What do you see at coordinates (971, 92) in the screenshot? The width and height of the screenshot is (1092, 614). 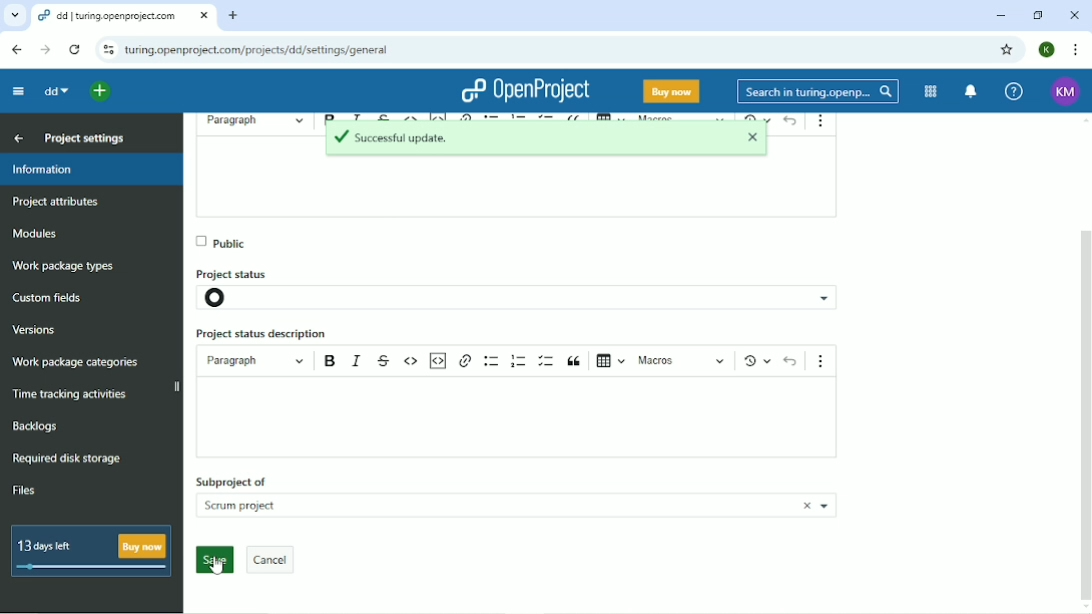 I see `To notification center` at bounding box center [971, 92].